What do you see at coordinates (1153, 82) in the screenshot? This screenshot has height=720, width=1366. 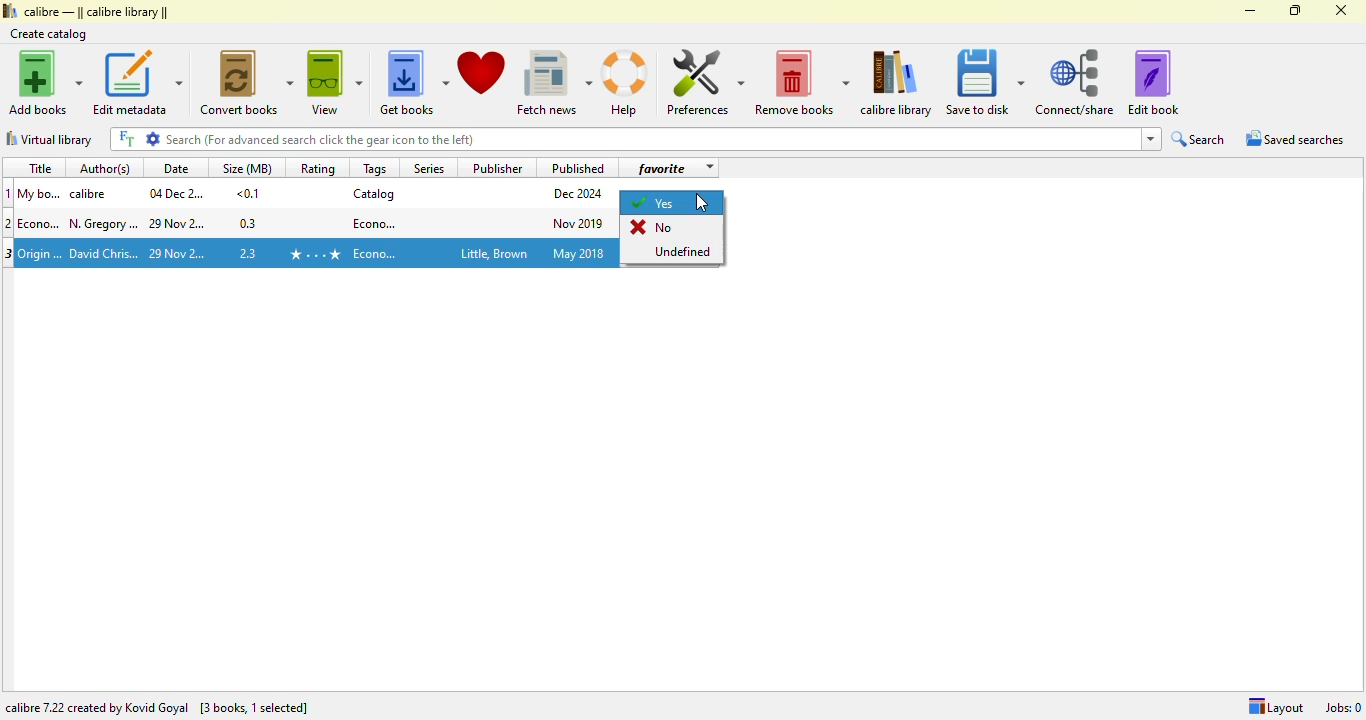 I see `edit book` at bounding box center [1153, 82].